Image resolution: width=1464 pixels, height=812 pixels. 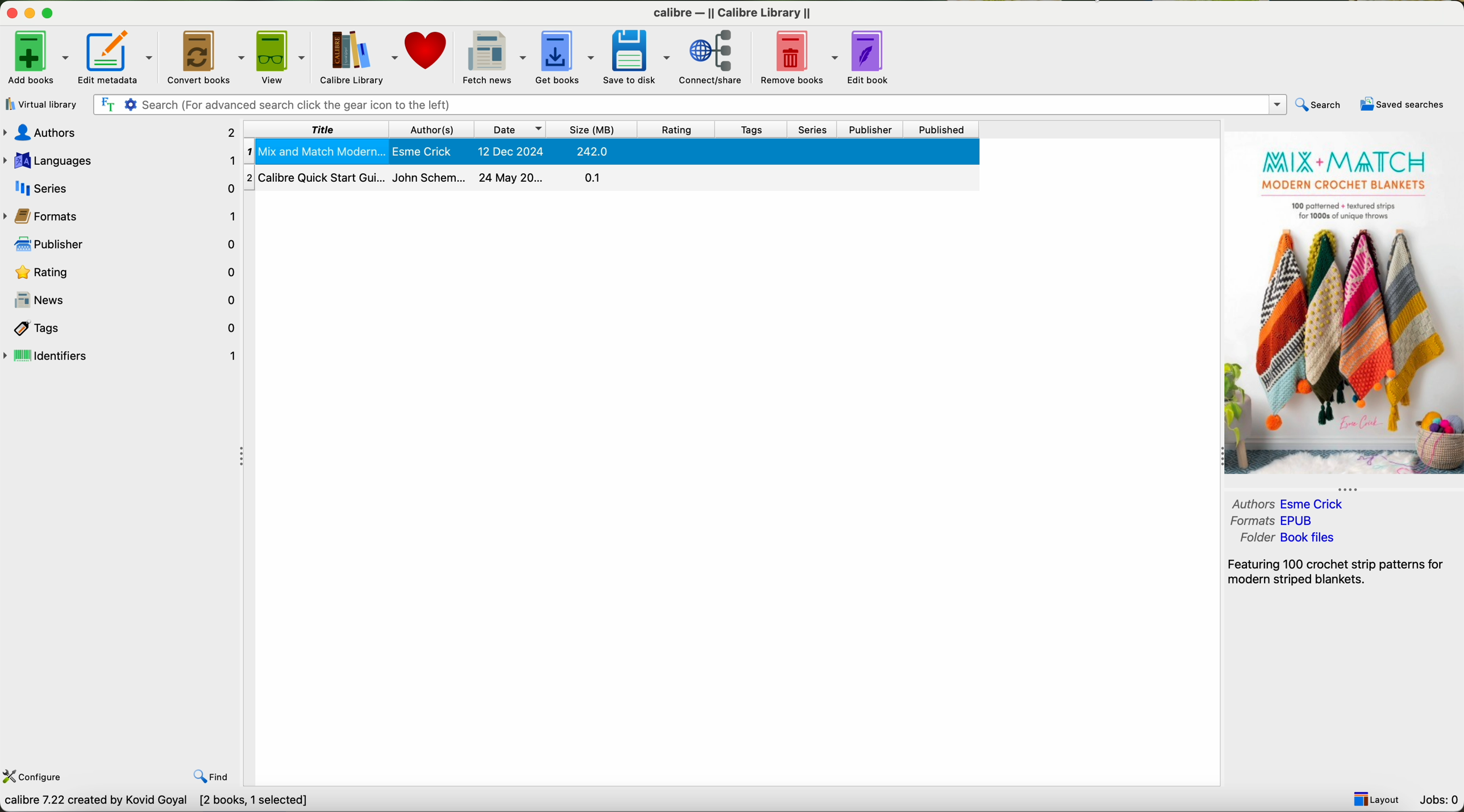 What do you see at coordinates (1404, 105) in the screenshot?
I see `saved searches` at bounding box center [1404, 105].